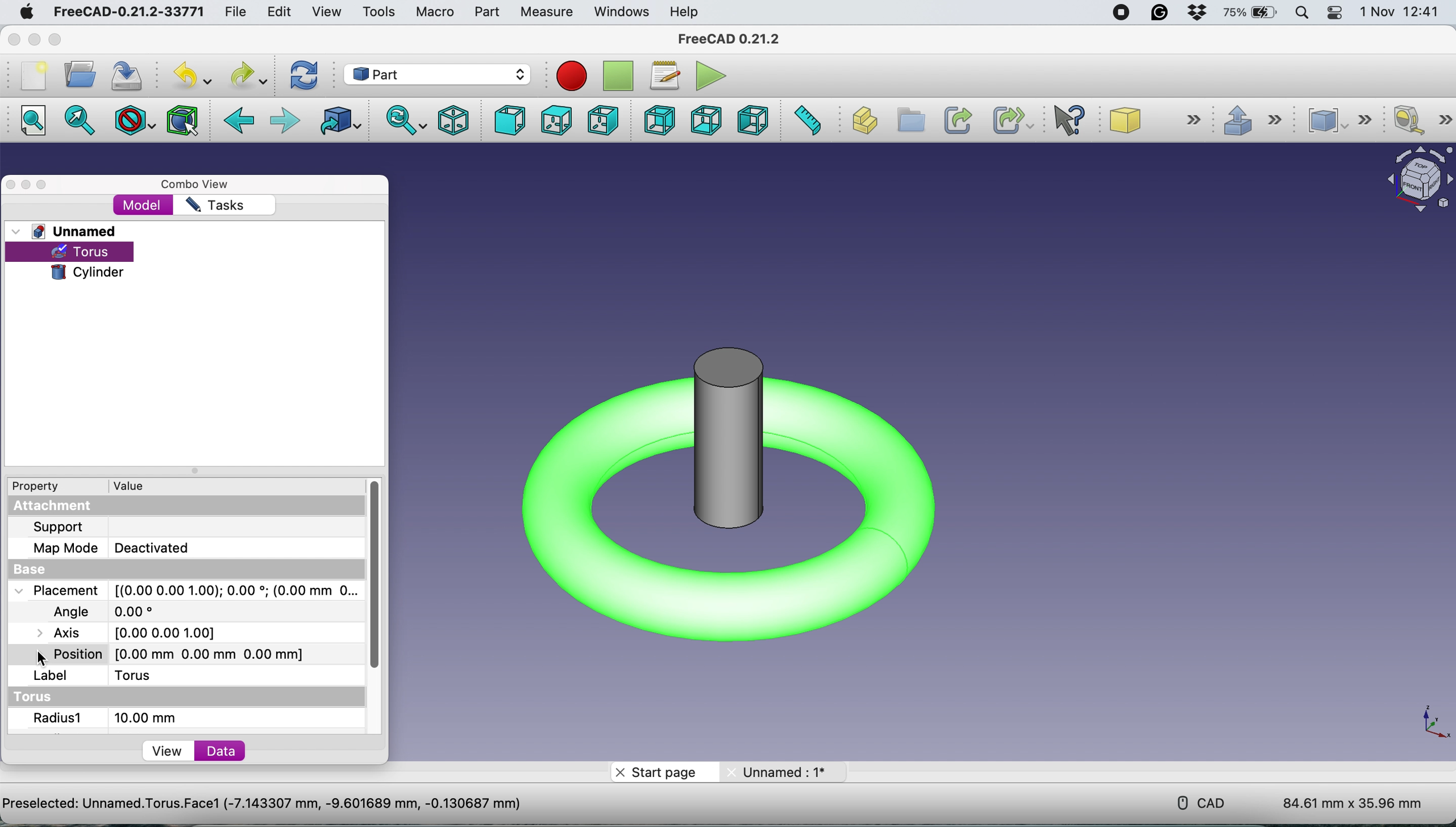  What do you see at coordinates (437, 73) in the screenshot?
I see `workbench` at bounding box center [437, 73].